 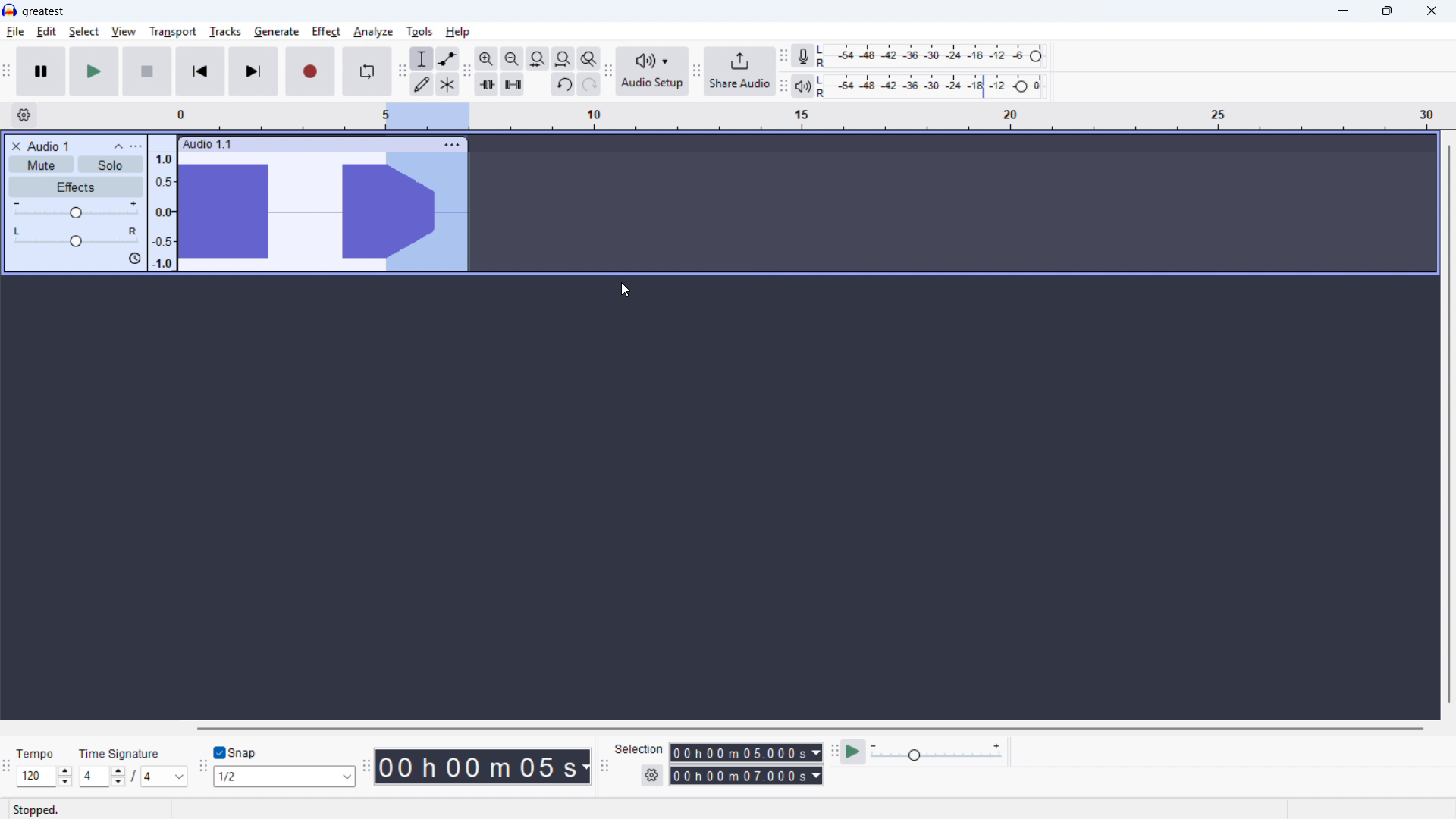 I want to click on Selection end time, so click(x=747, y=775).